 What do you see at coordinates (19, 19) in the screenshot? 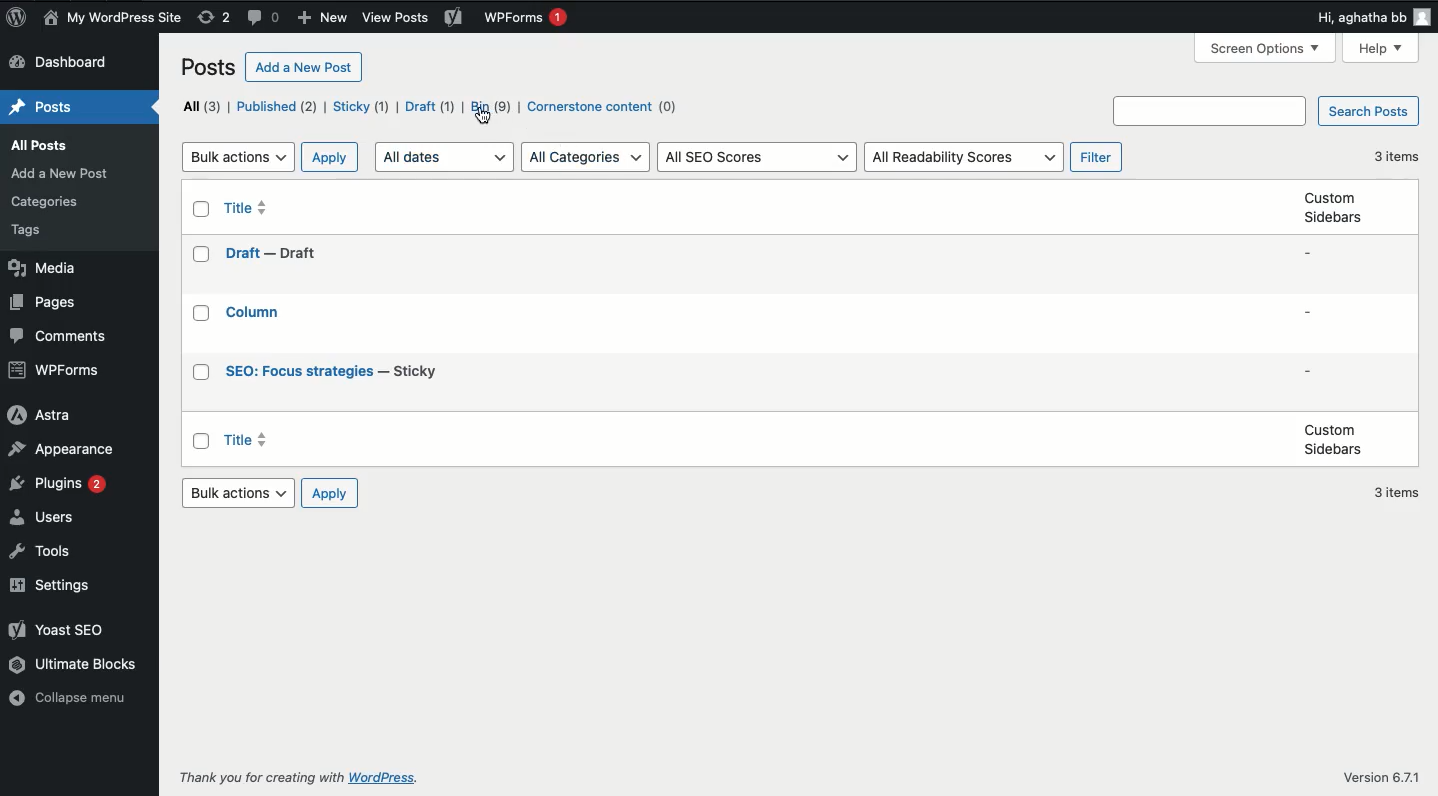
I see `Logo` at bounding box center [19, 19].